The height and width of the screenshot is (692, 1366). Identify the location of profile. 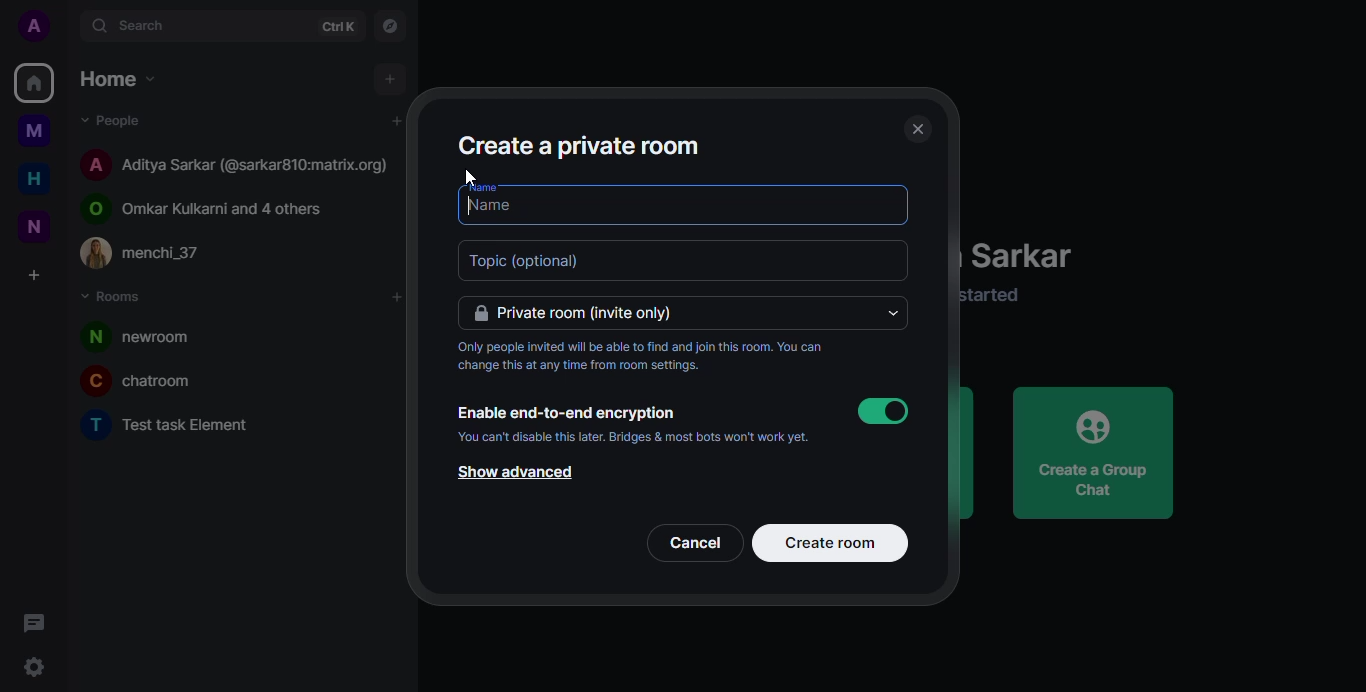
(31, 24).